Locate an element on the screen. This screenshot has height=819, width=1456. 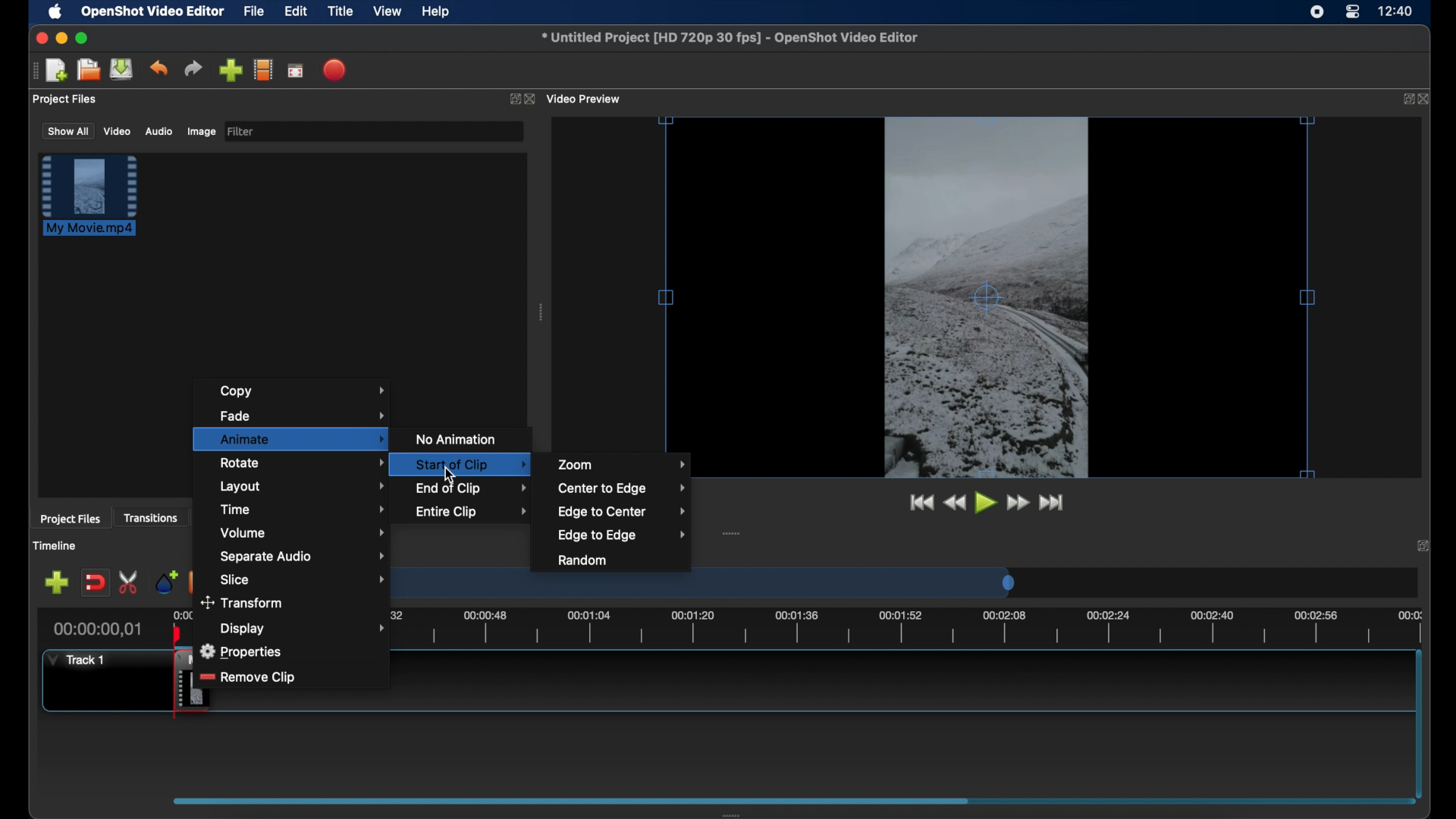
transitions is located at coordinates (152, 519).